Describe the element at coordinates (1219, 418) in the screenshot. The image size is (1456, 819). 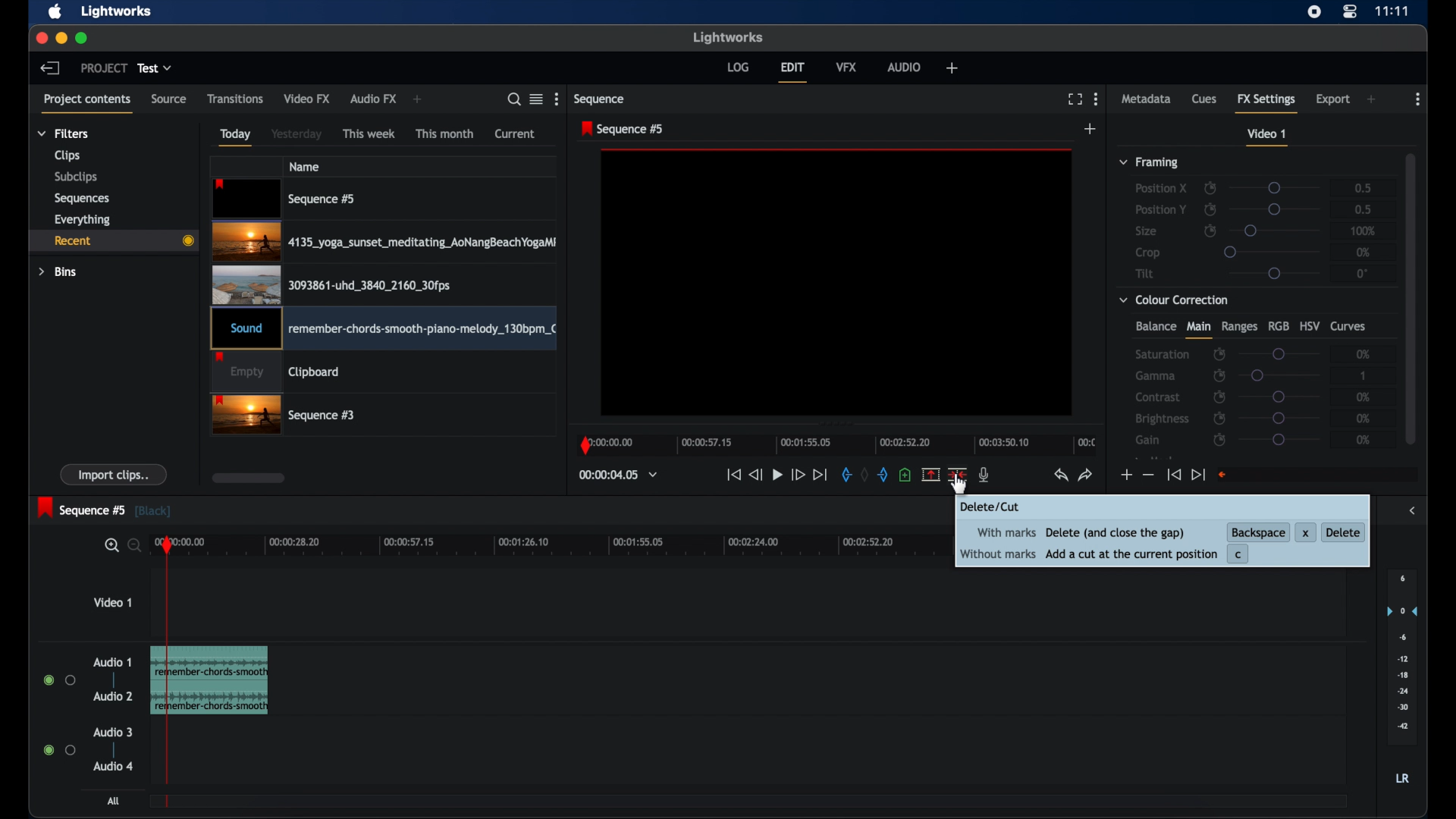
I see `enable/disable keyframes` at that location.